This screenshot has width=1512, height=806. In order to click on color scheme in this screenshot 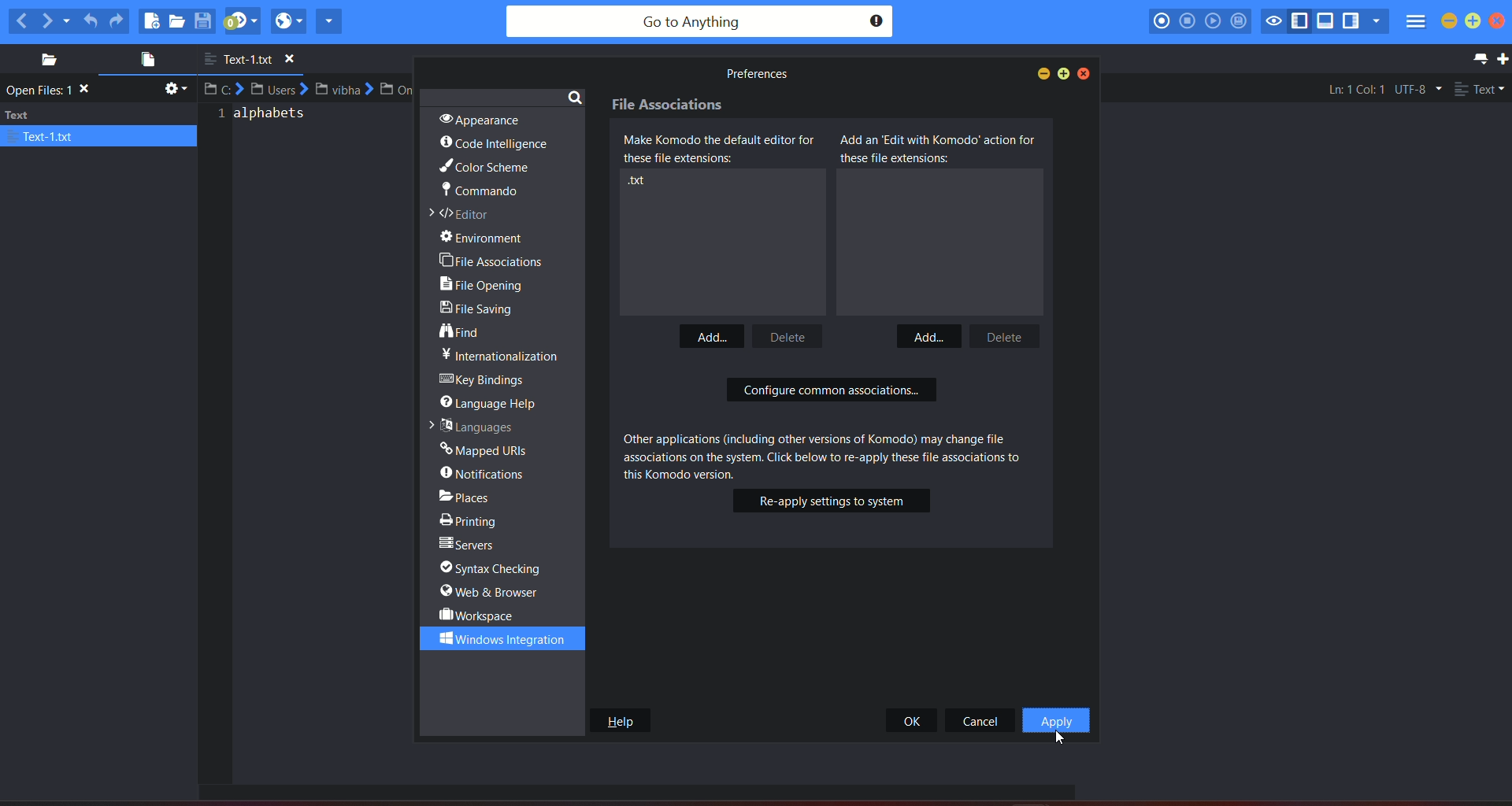, I will do `click(483, 168)`.